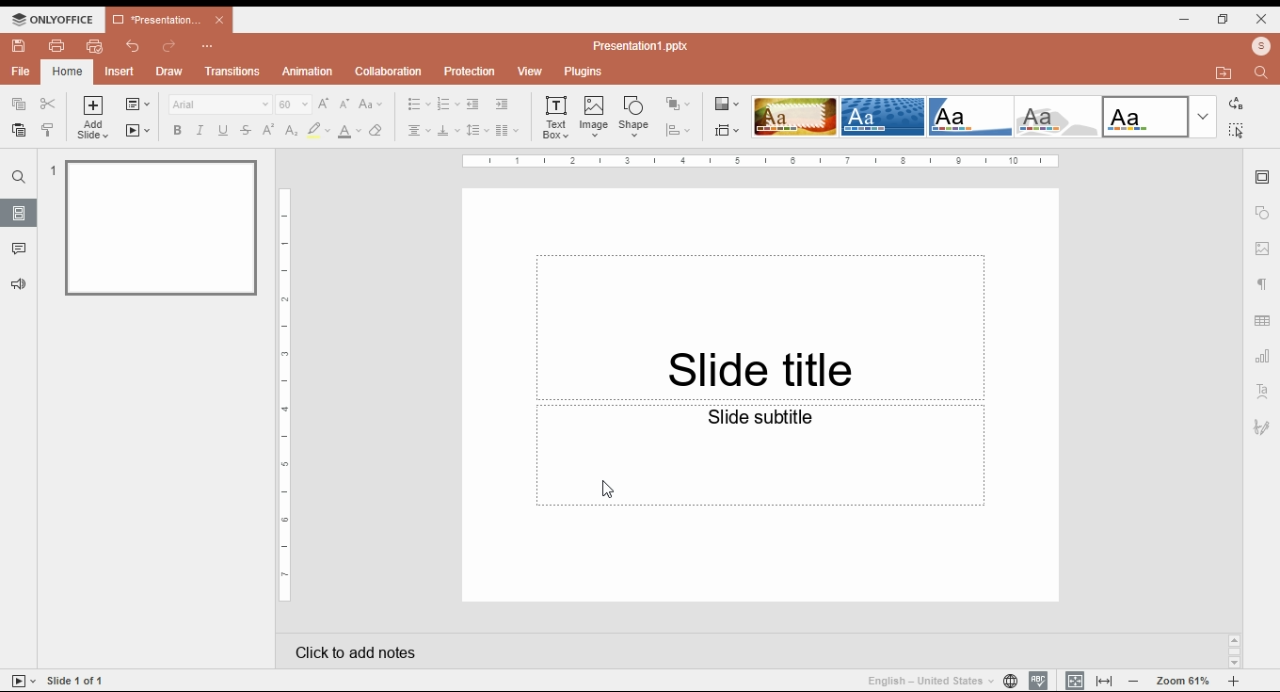  I want to click on increment font size, so click(323, 103).